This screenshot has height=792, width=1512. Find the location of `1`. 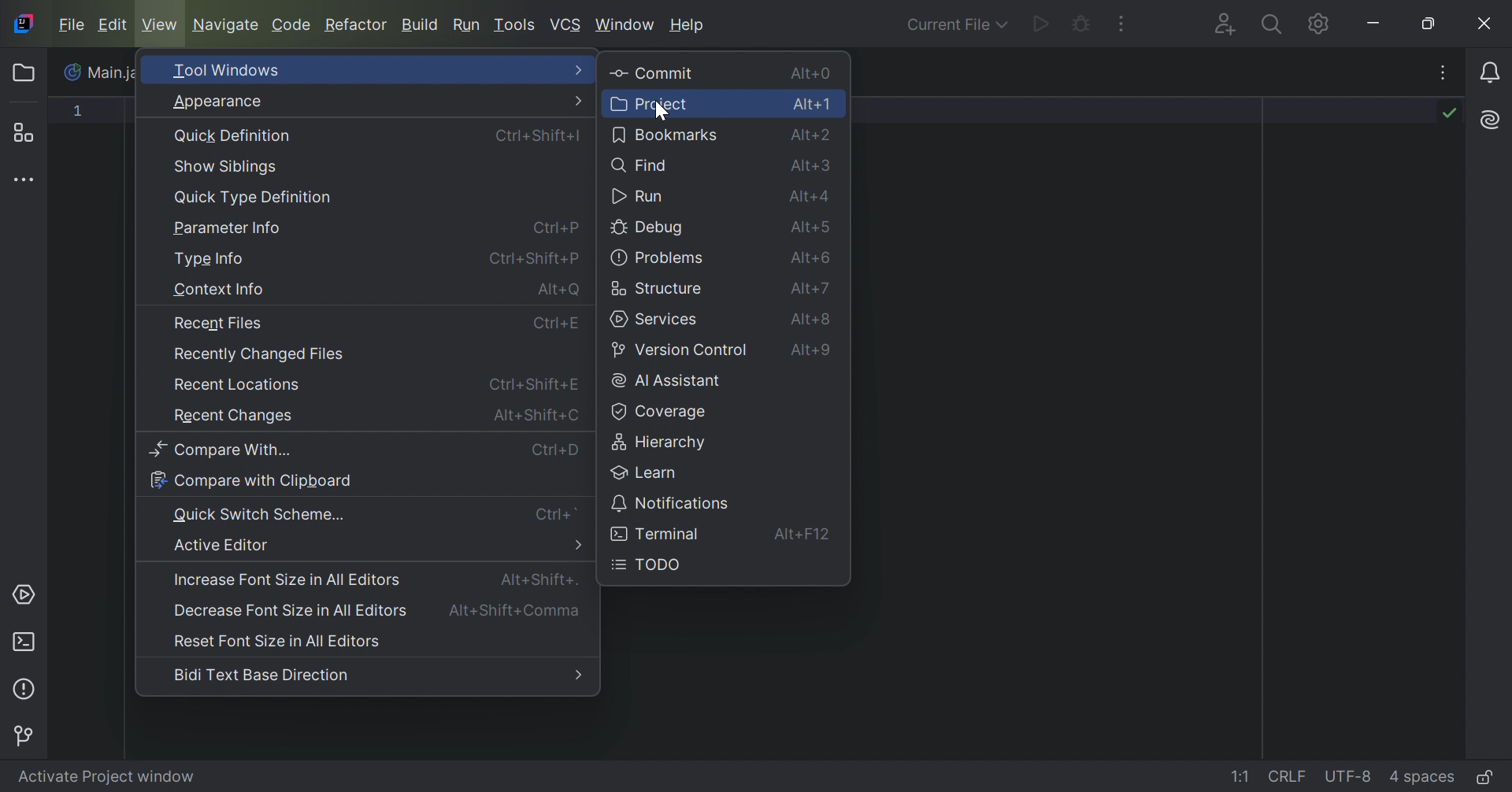

1 is located at coordinates (80, 114).